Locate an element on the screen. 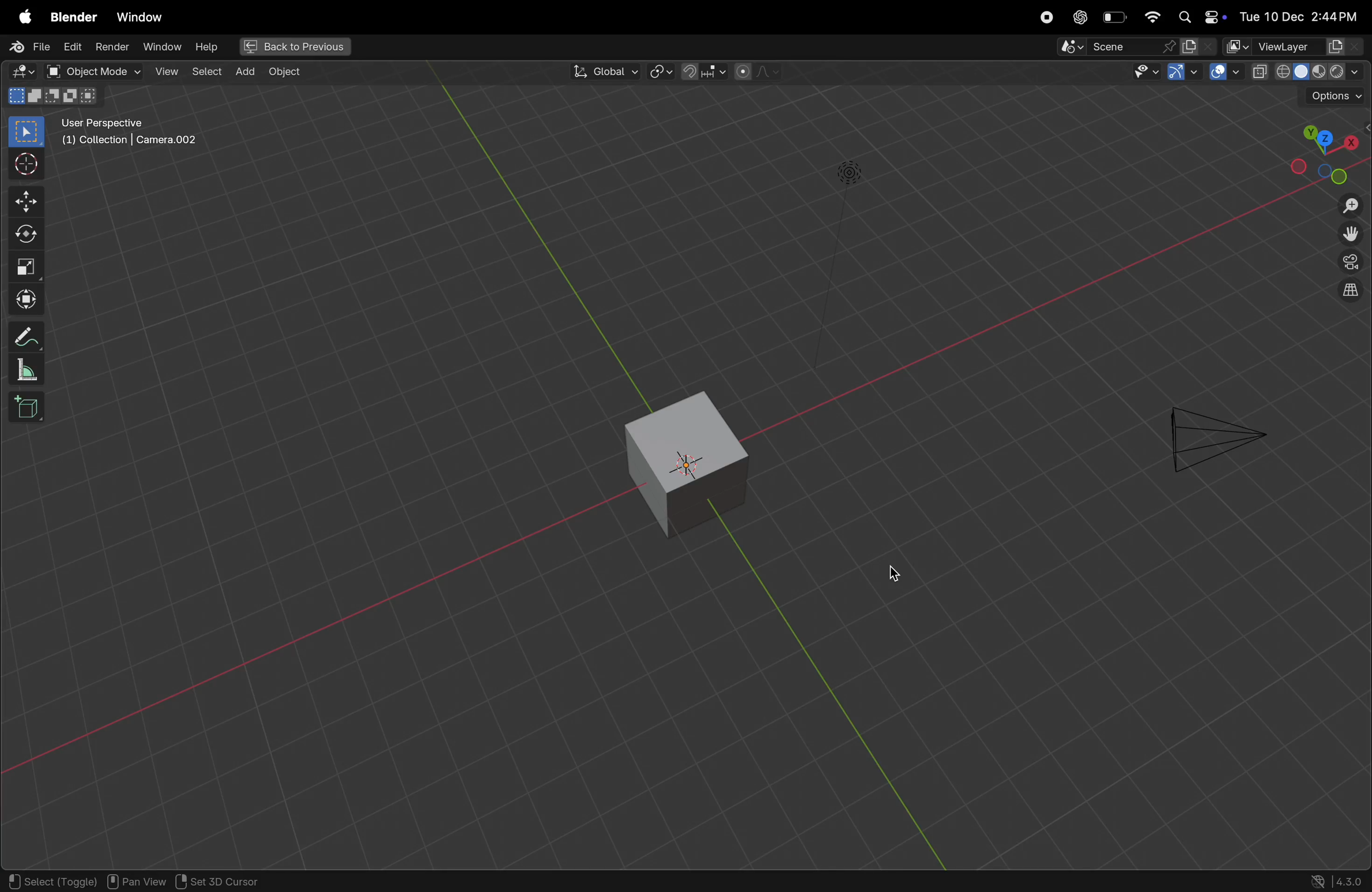  select is located at coordinates (24, 131).